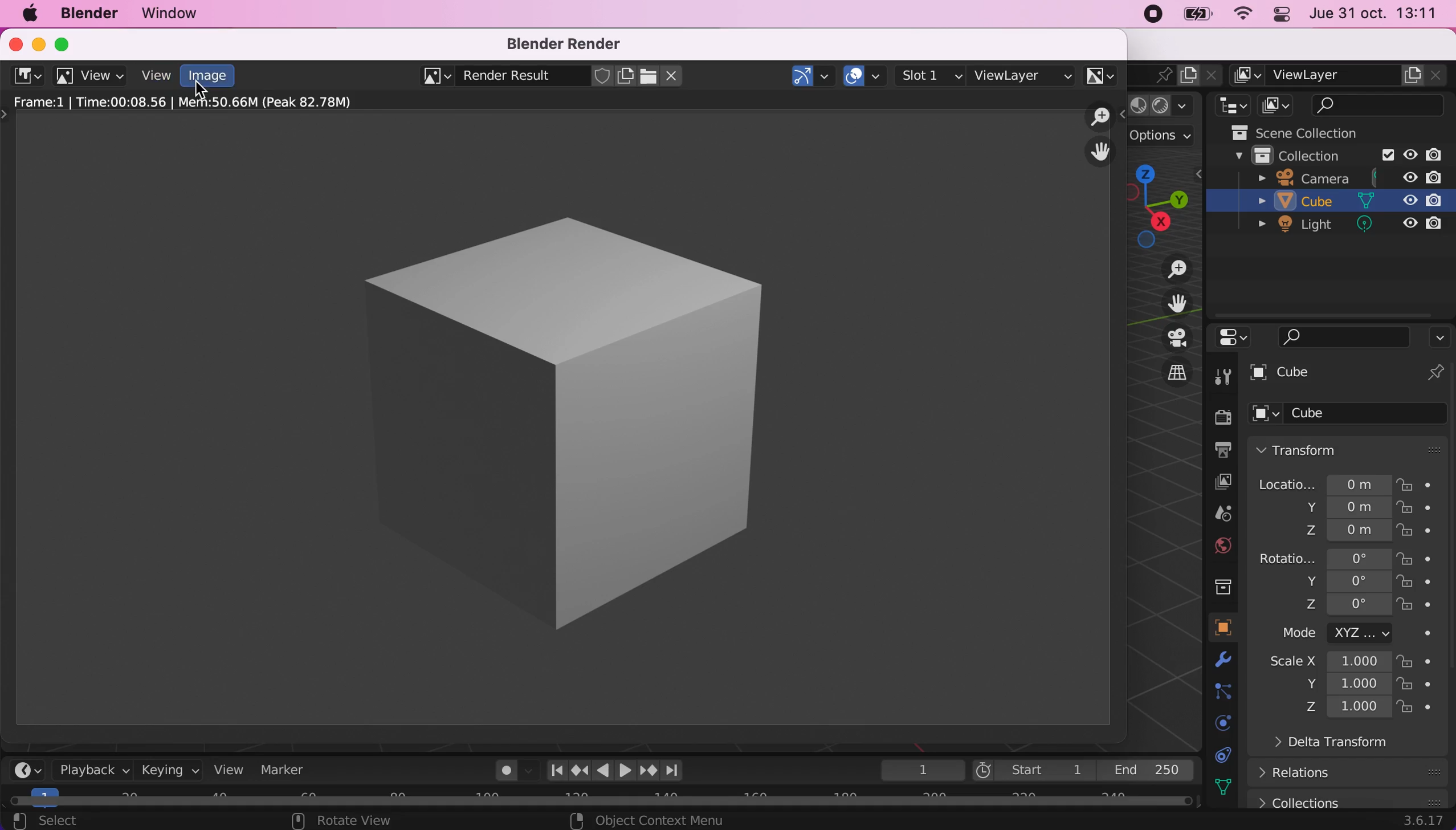 Image resolution: width=1456 pixels, height=830 pixels. What do you see at coordinates (1225, 693) in the screenshot?
I see `constraints` at bounding box center [1225, 693].